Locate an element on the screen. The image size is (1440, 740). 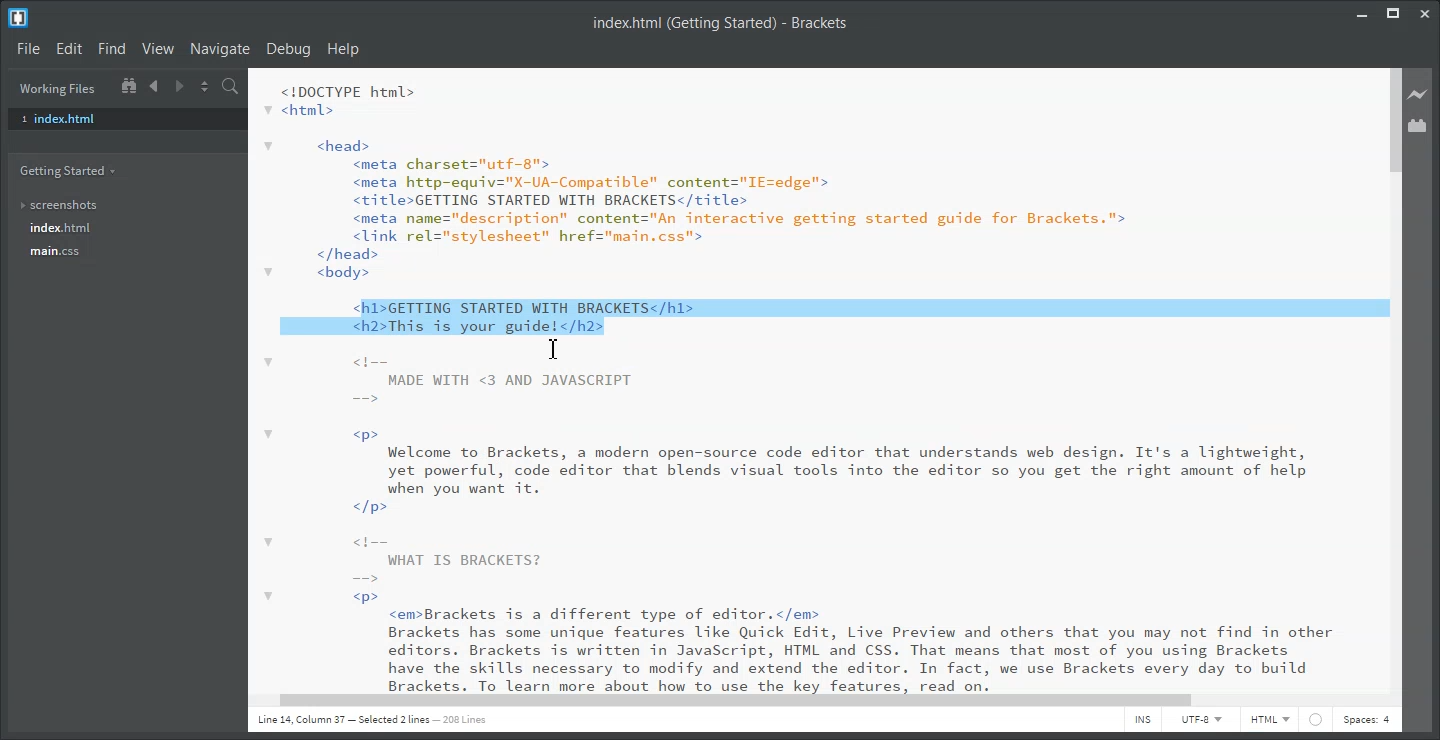
Edit is located at coordinates (69, 49).